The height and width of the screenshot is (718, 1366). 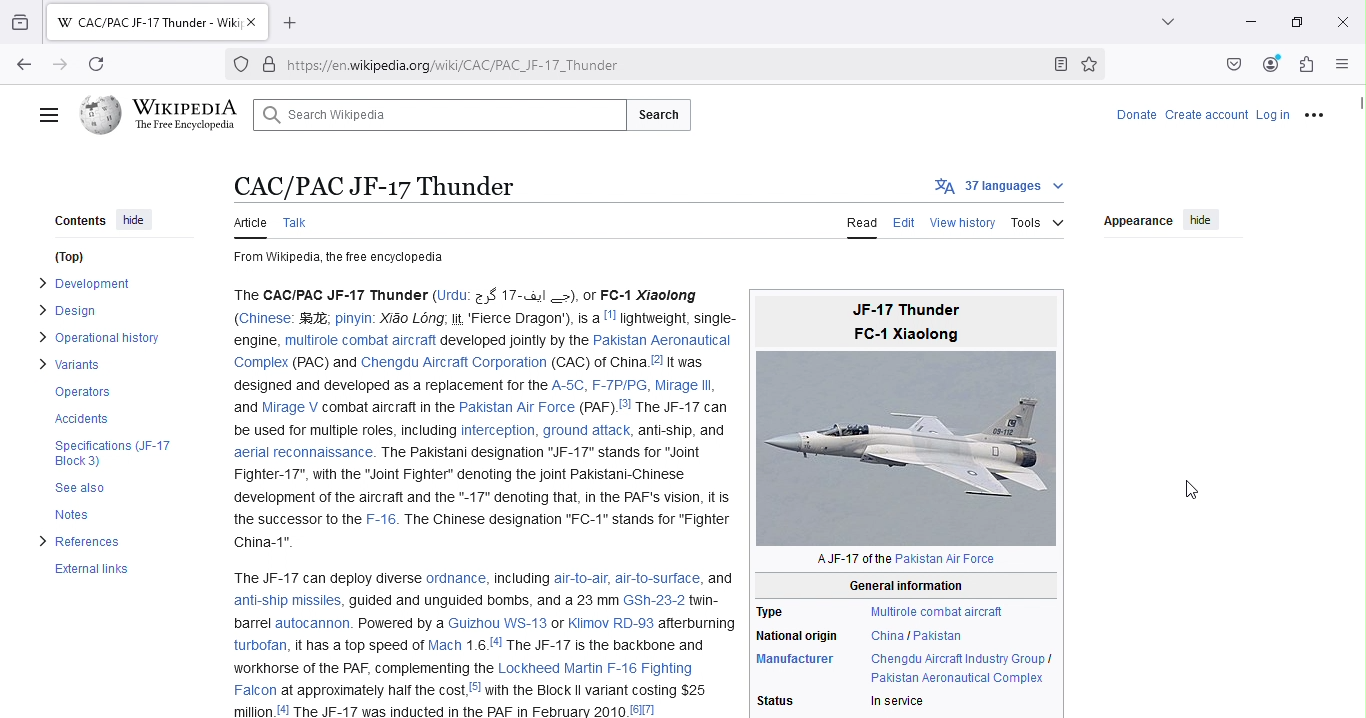 I want to click on Open application menu, so click(x=1339, y=62).